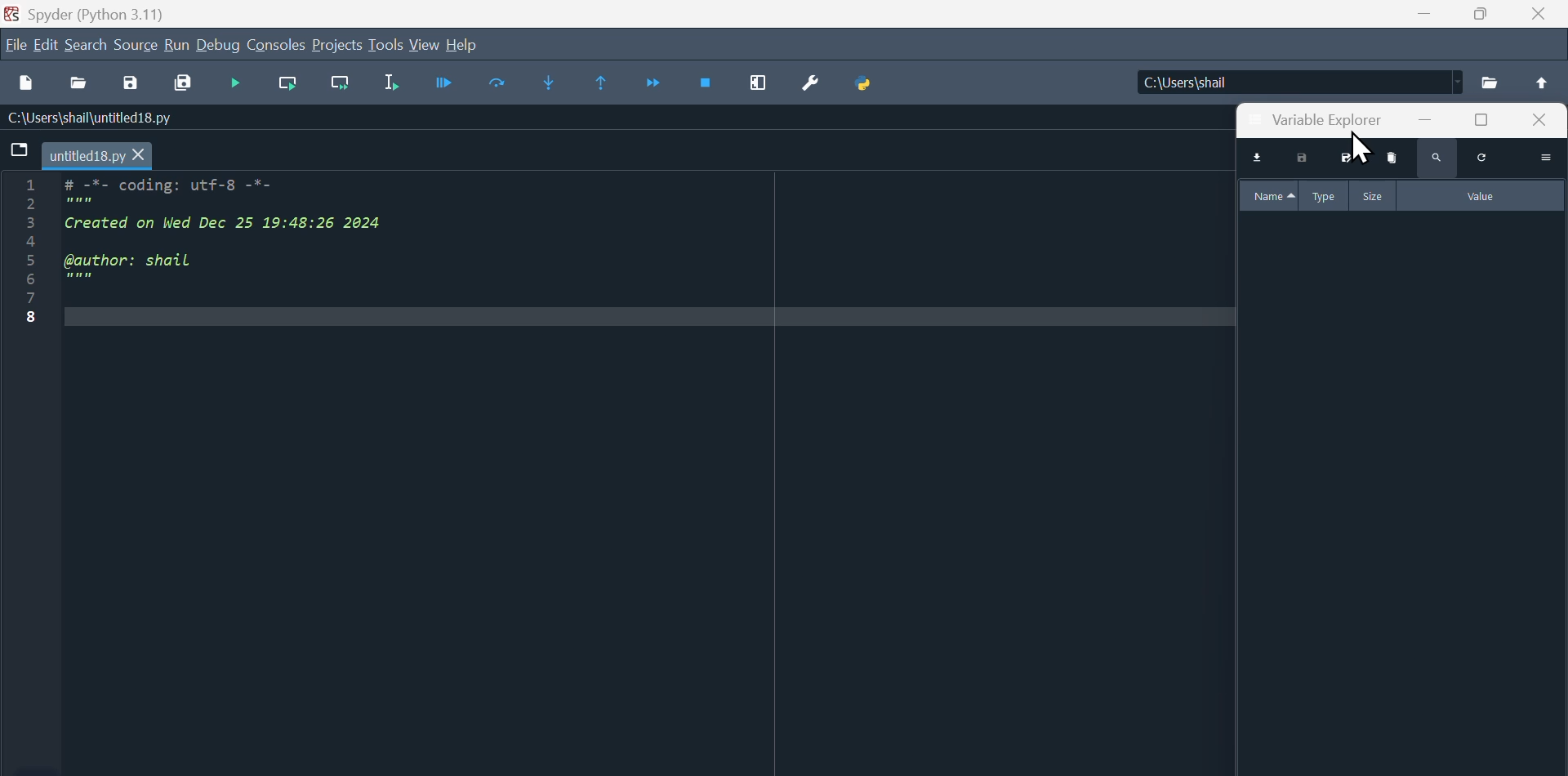  Describe the element at coordinates (810, 87) in the screenshot. I see `Settings` at that location.